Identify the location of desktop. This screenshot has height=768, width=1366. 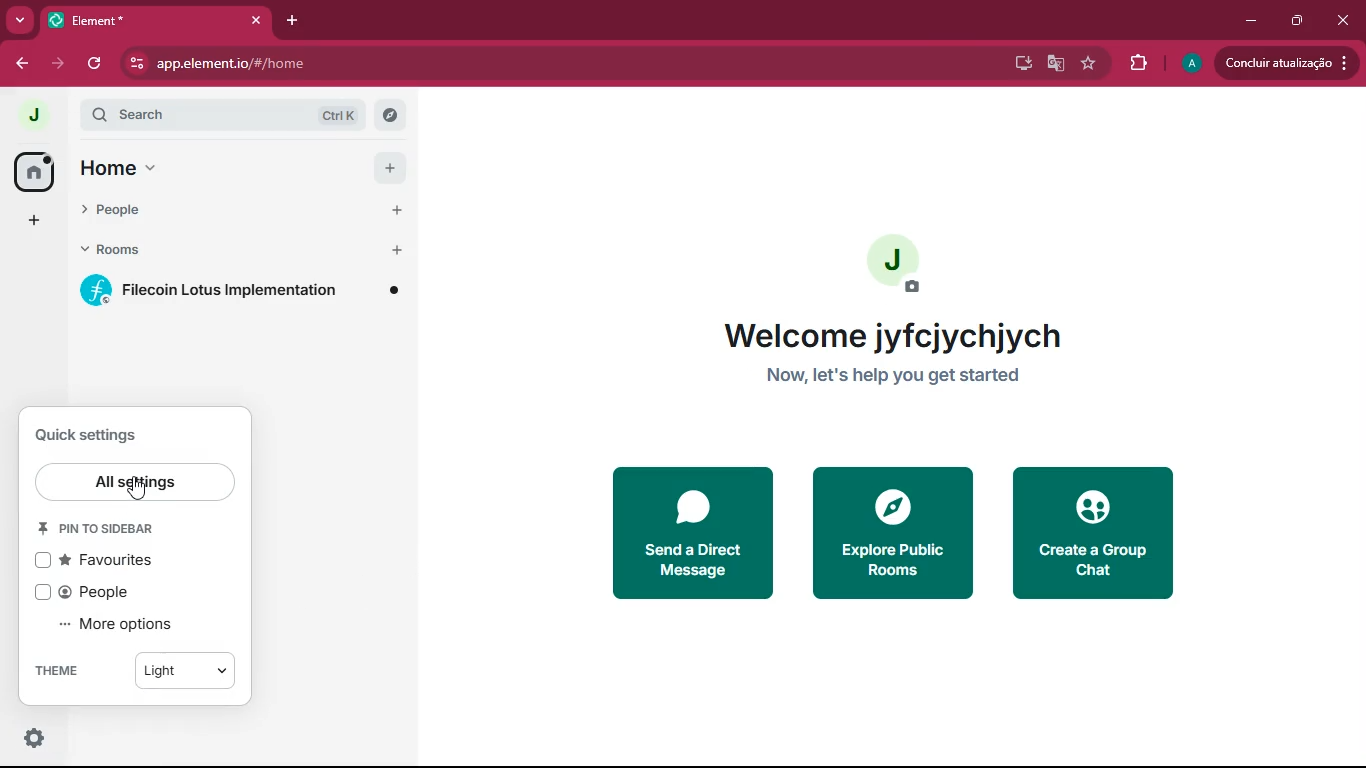
(1015, 63).